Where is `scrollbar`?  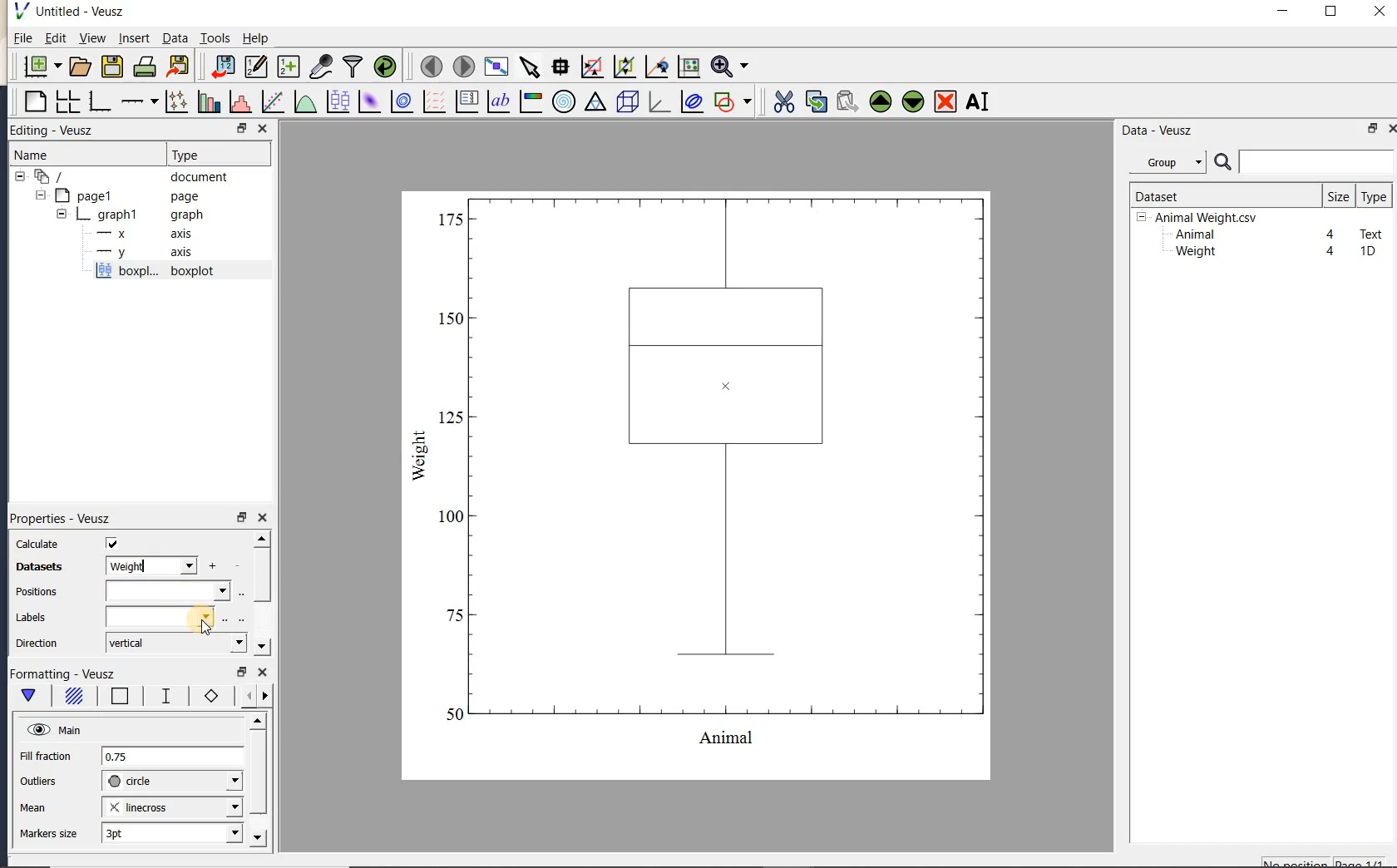 scrollbar is located at coordinates (257, 781).